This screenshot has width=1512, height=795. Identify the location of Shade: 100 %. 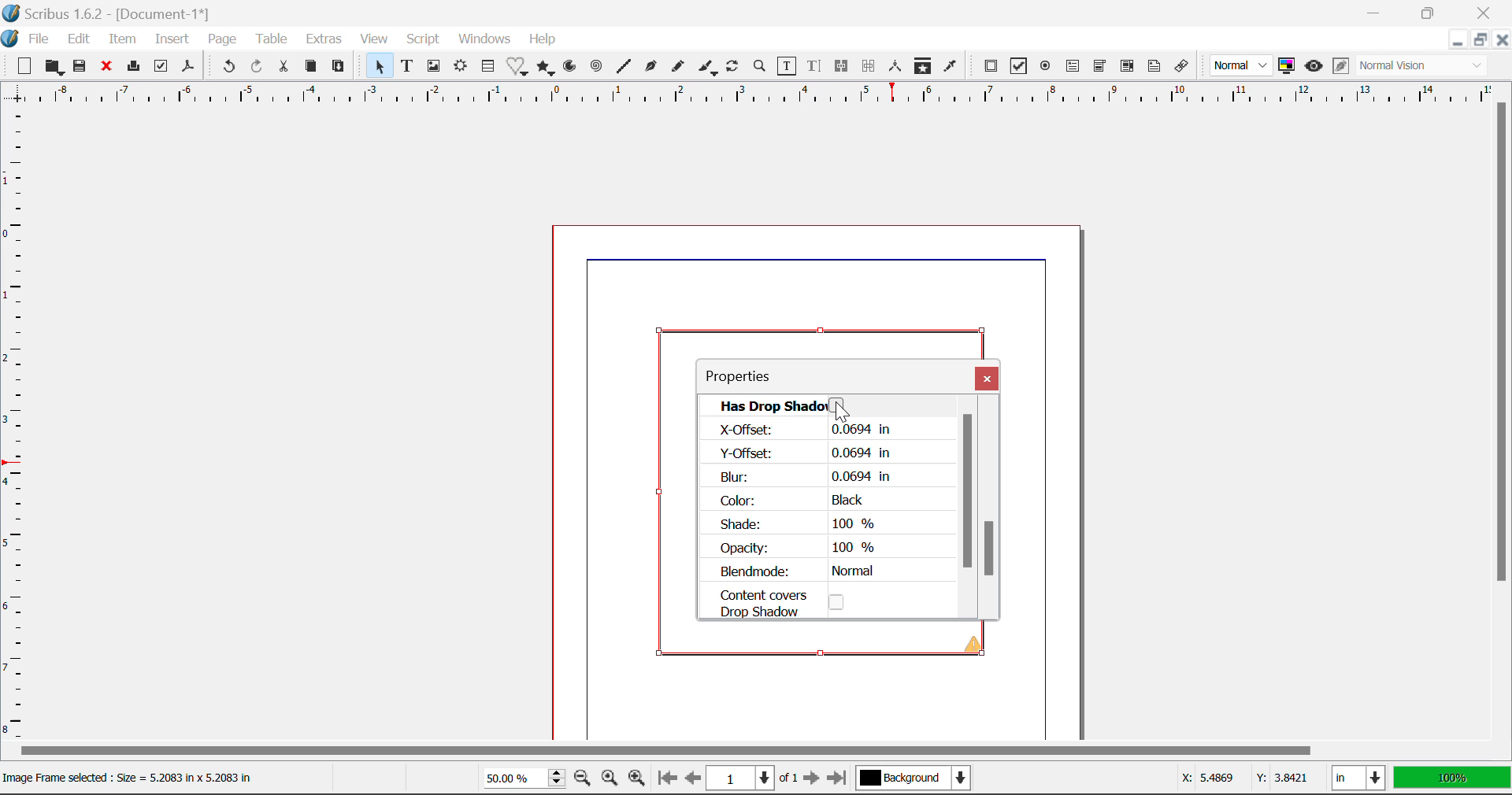
(799, 524).